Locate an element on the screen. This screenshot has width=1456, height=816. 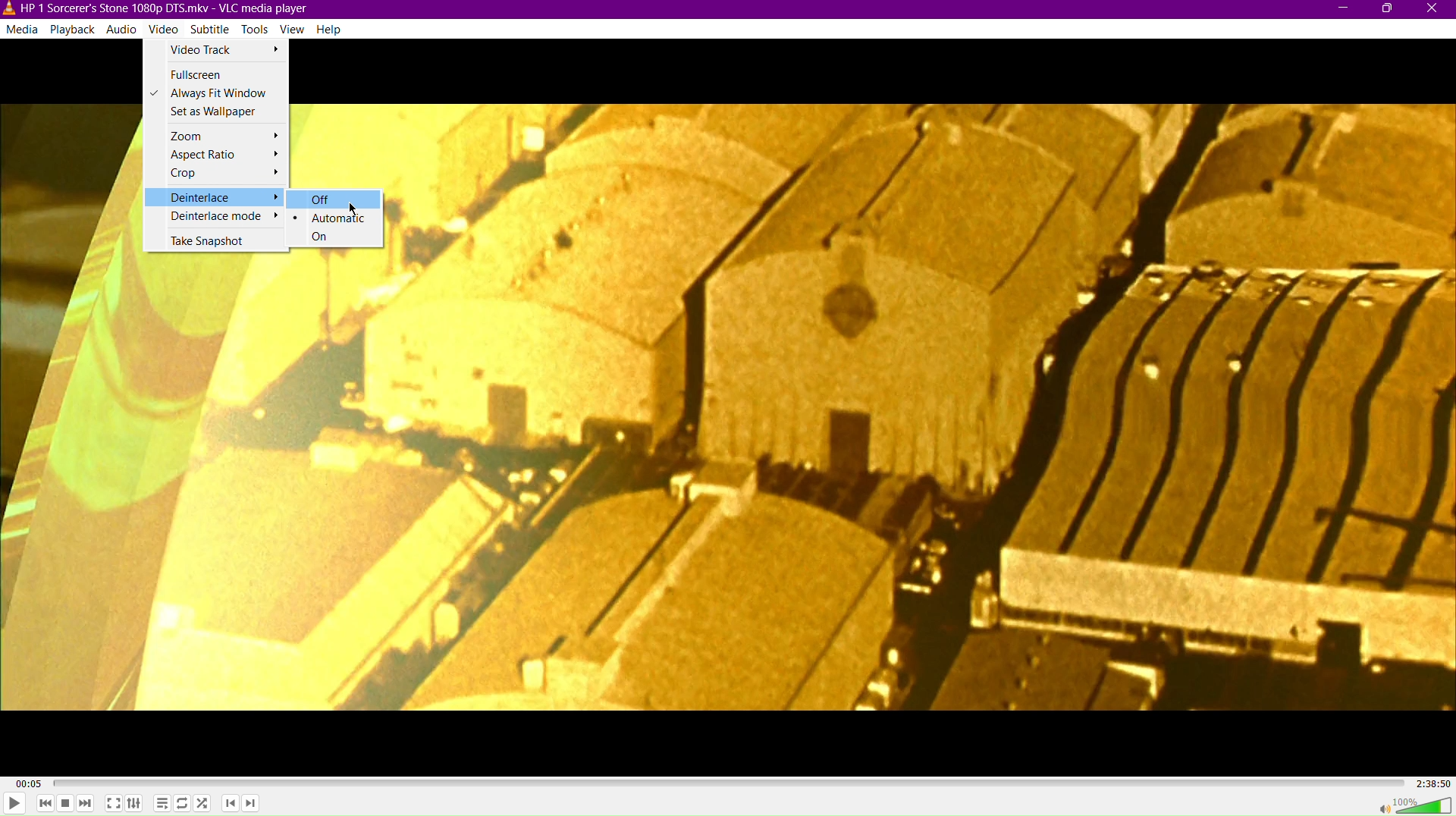
View is located at coordinates (292, 29).